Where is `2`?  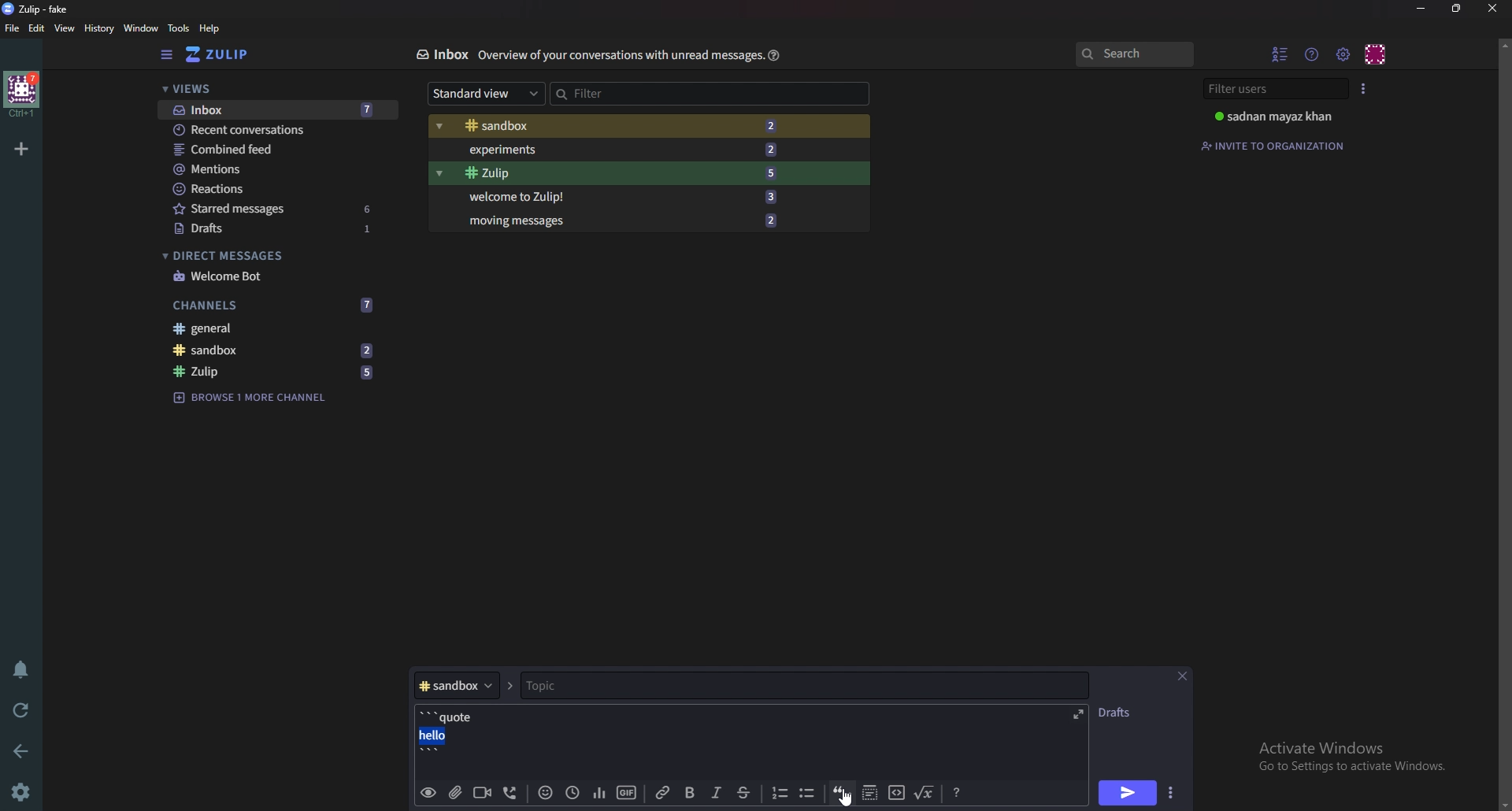
2 is located at coordinates (774, 220).